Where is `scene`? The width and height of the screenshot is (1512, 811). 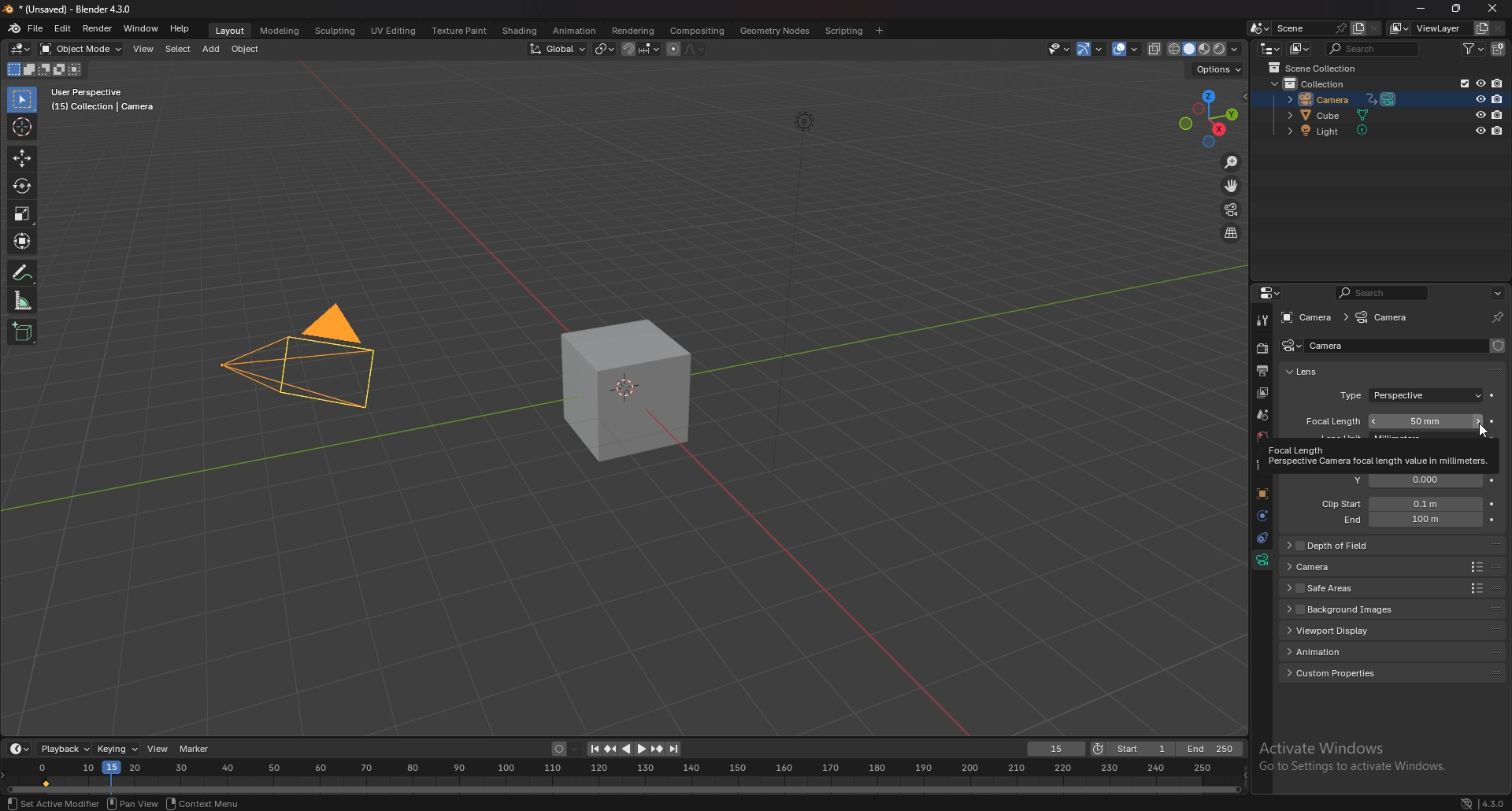 scene is located at coordinates (1264, 415).